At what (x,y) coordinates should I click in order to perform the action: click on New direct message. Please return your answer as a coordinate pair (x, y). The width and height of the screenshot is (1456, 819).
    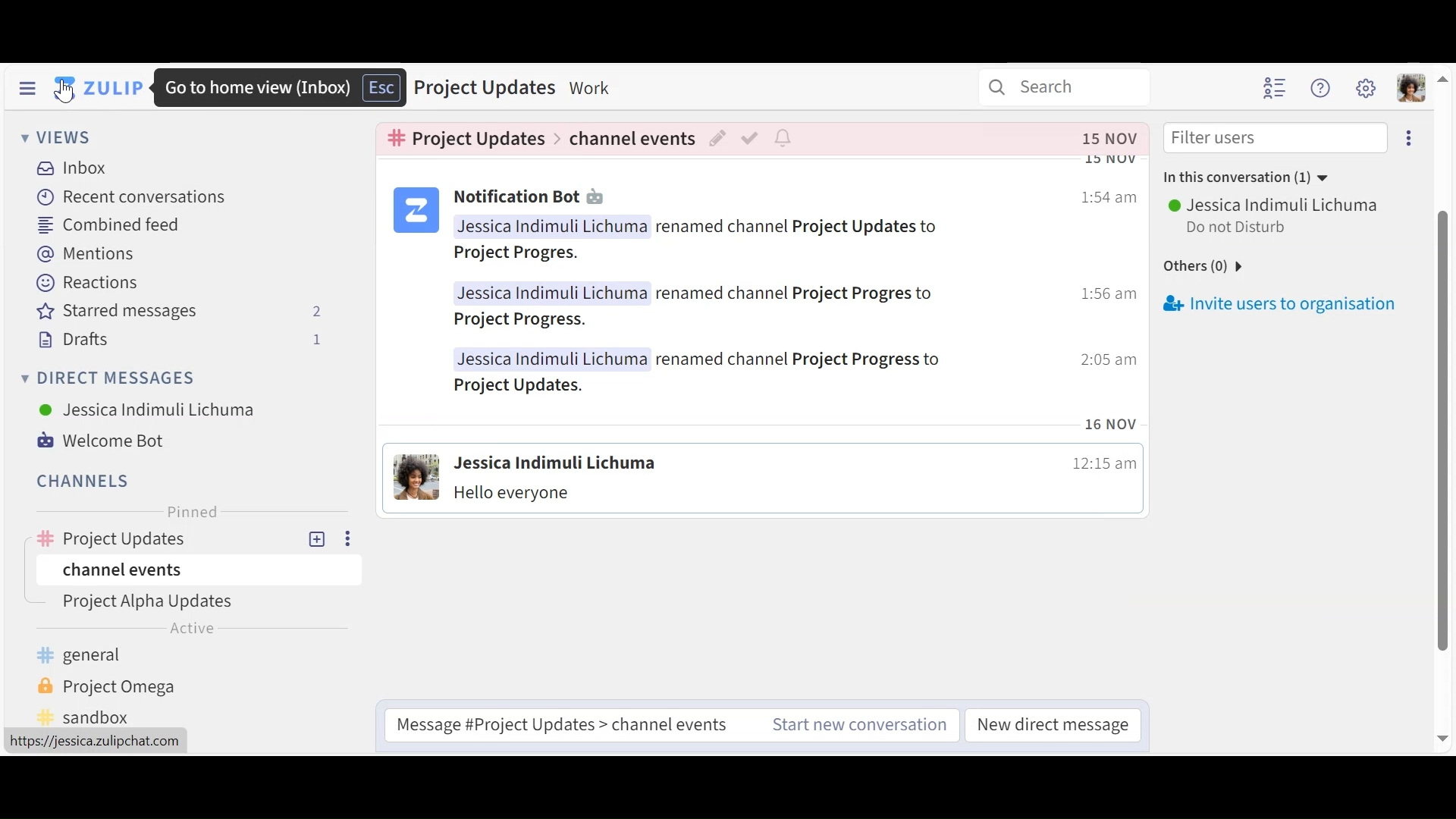
    Looking at the image, I should click on (1052, 726).